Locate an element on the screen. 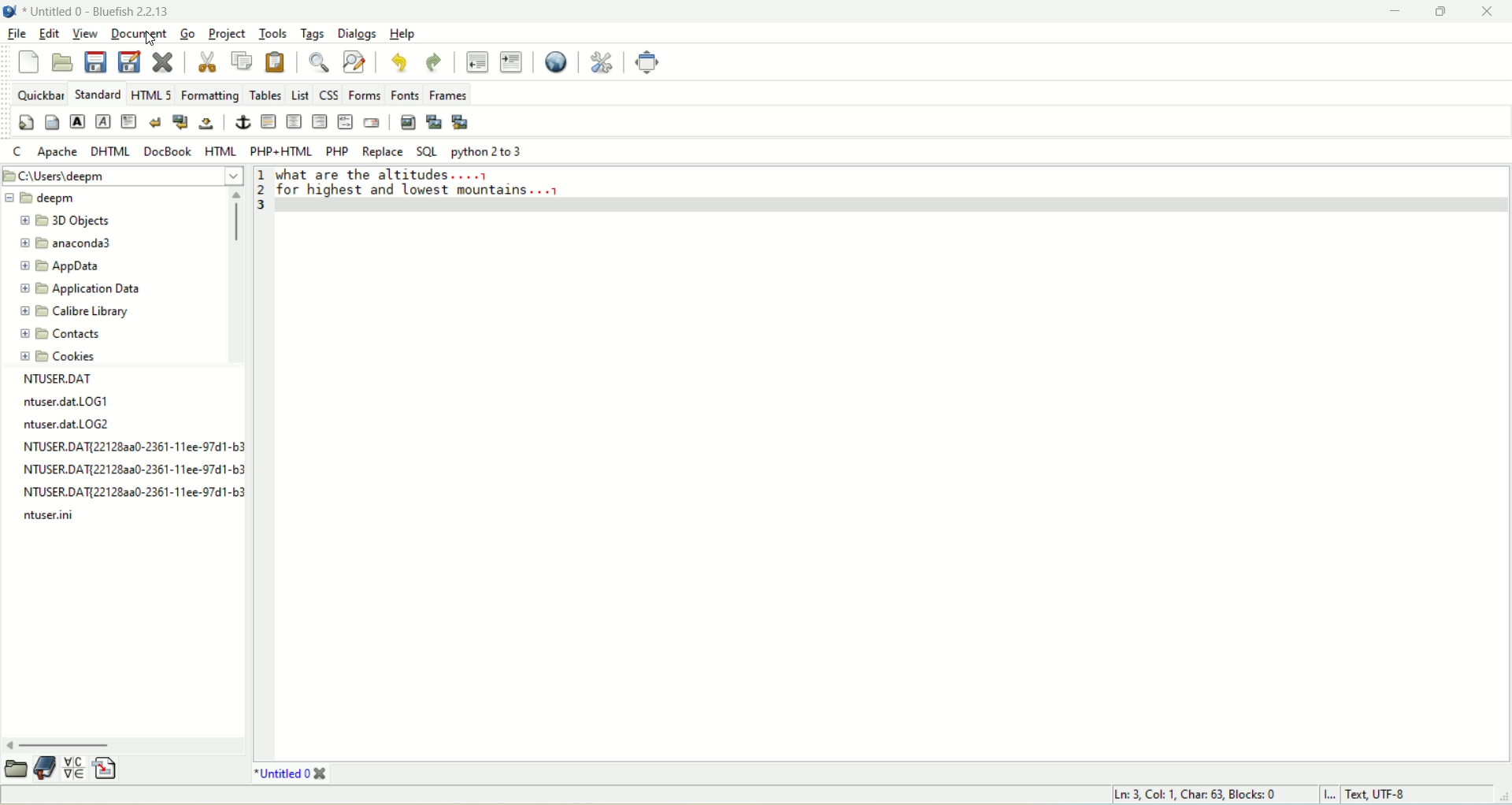 This screenshot has height=805, width=1512. undo is located at coordinates (398, 61).